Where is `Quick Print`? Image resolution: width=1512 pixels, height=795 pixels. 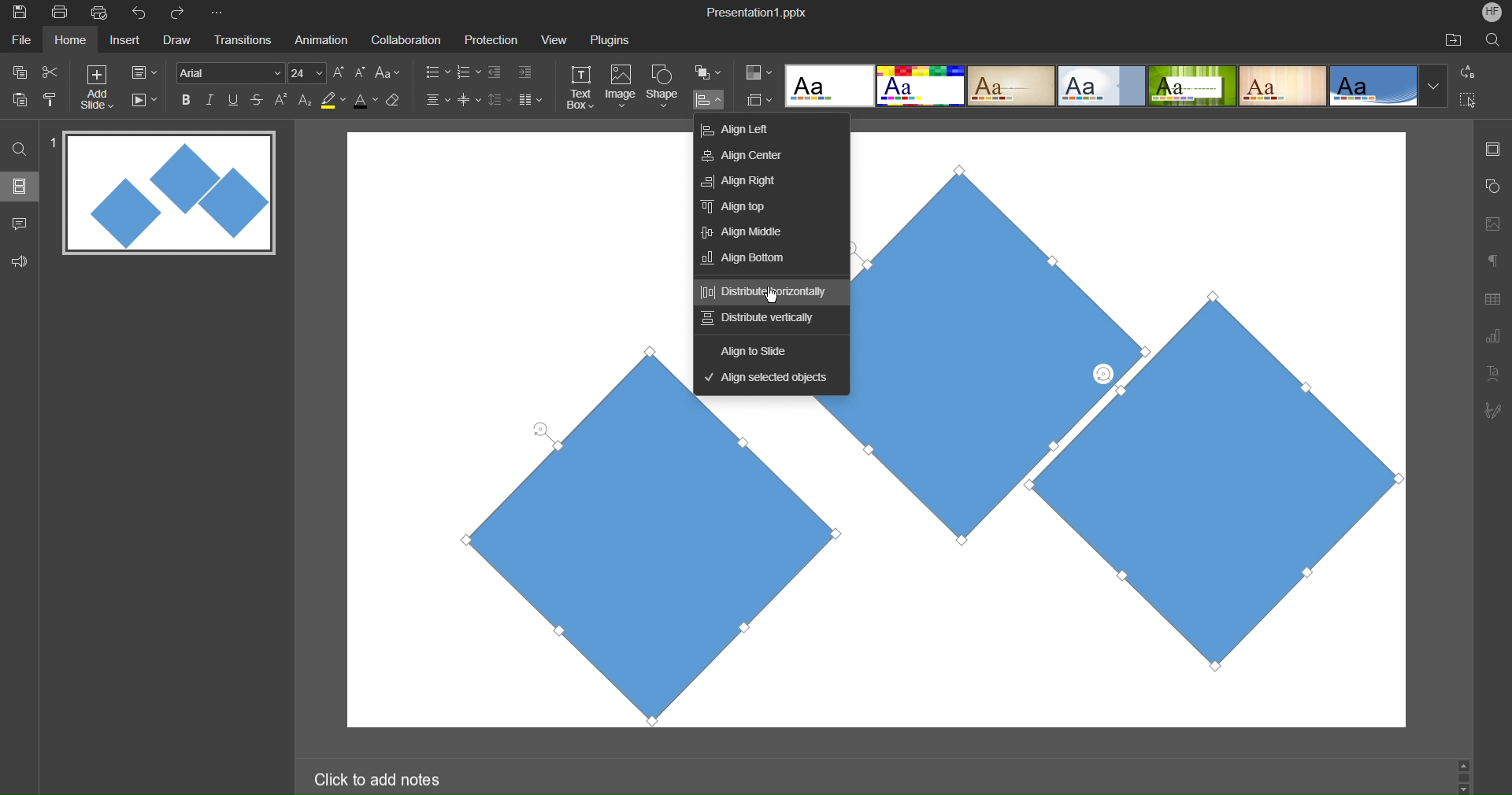
Quick Print is located at coordinates (102, 13).